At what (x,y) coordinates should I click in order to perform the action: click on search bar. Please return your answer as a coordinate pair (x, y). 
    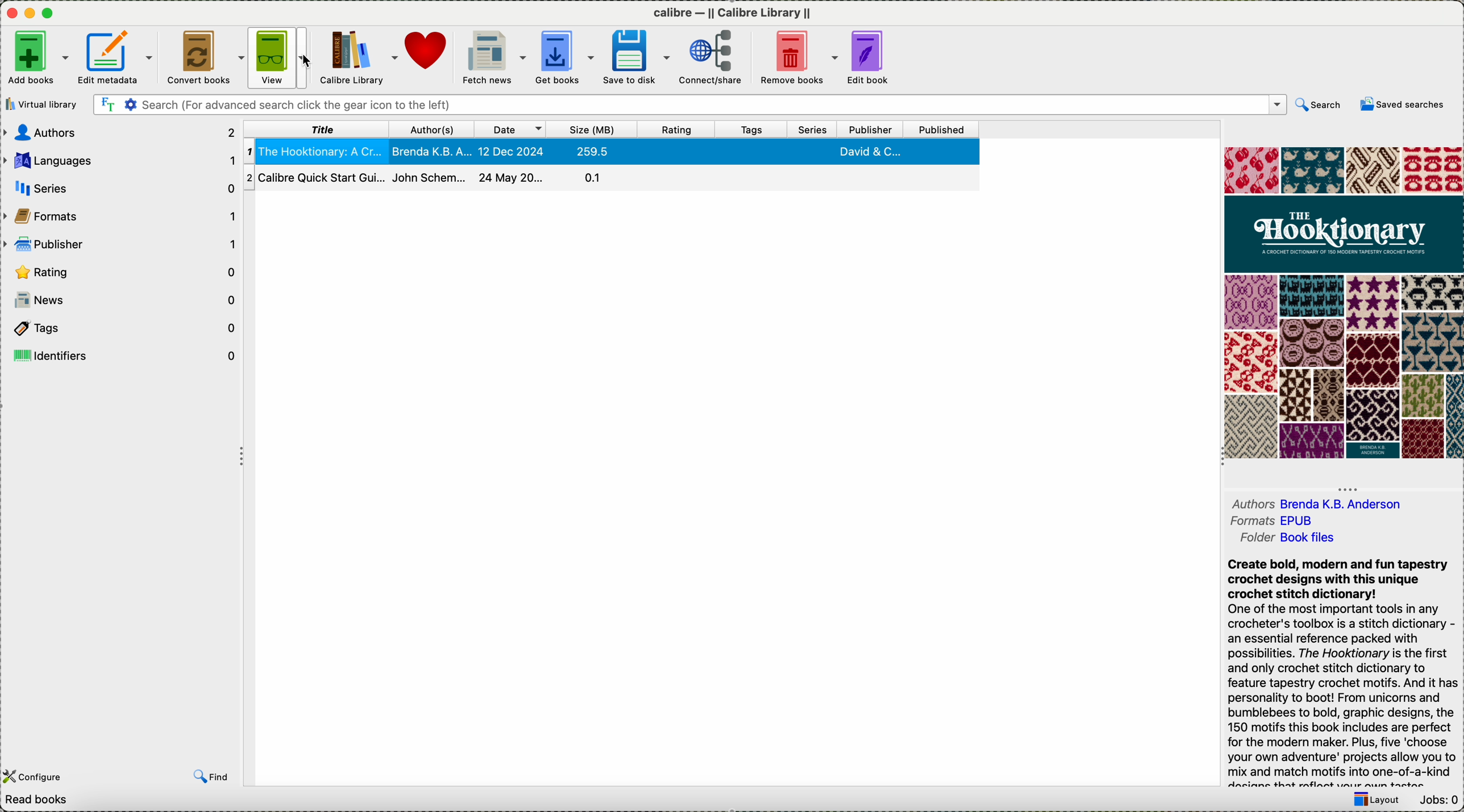
    Looking at the image, I should click on (691, 105).